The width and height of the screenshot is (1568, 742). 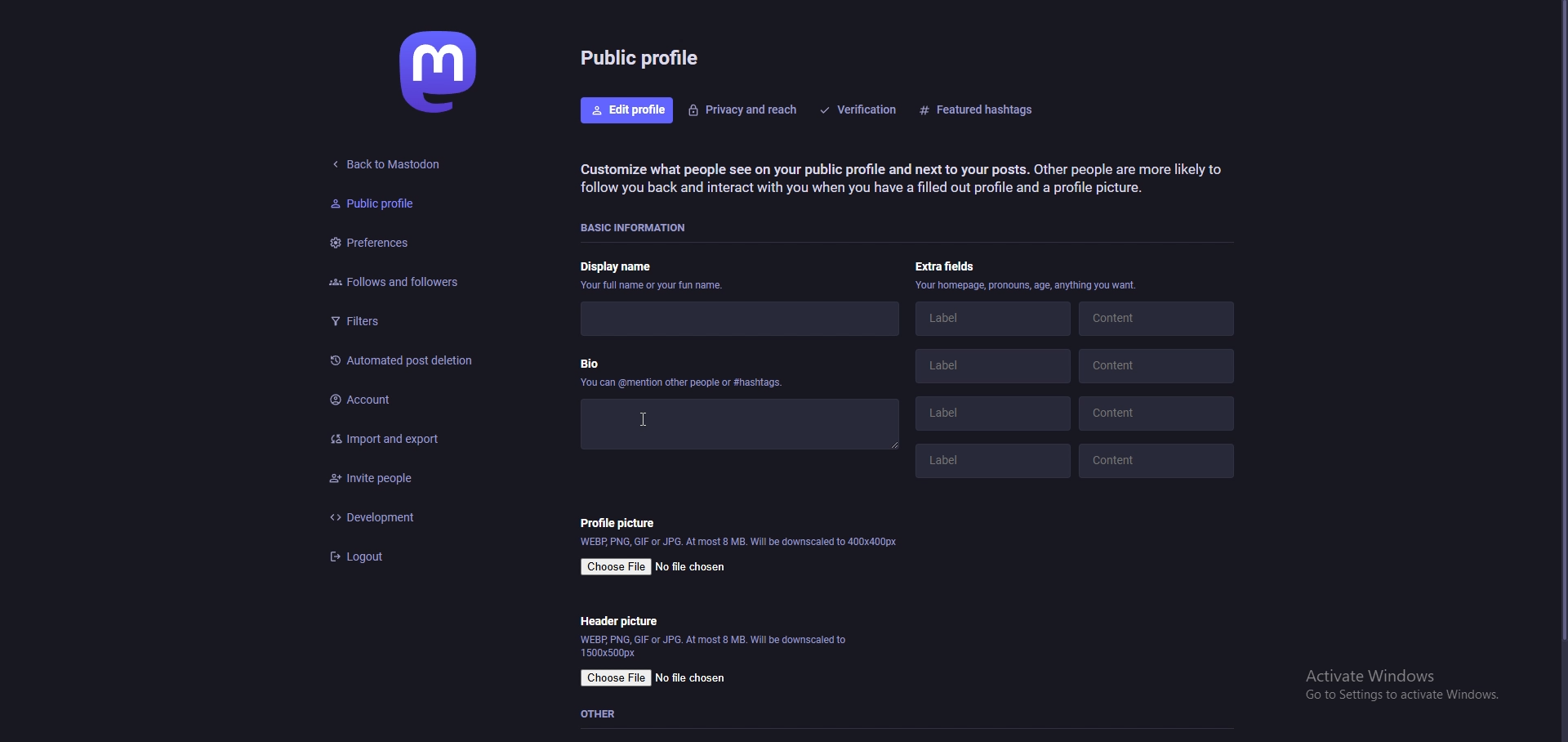 What do you see at coordinates (743, 109) in the screenshot?
I see `privacy and reach` at bounding box center [743, 109].